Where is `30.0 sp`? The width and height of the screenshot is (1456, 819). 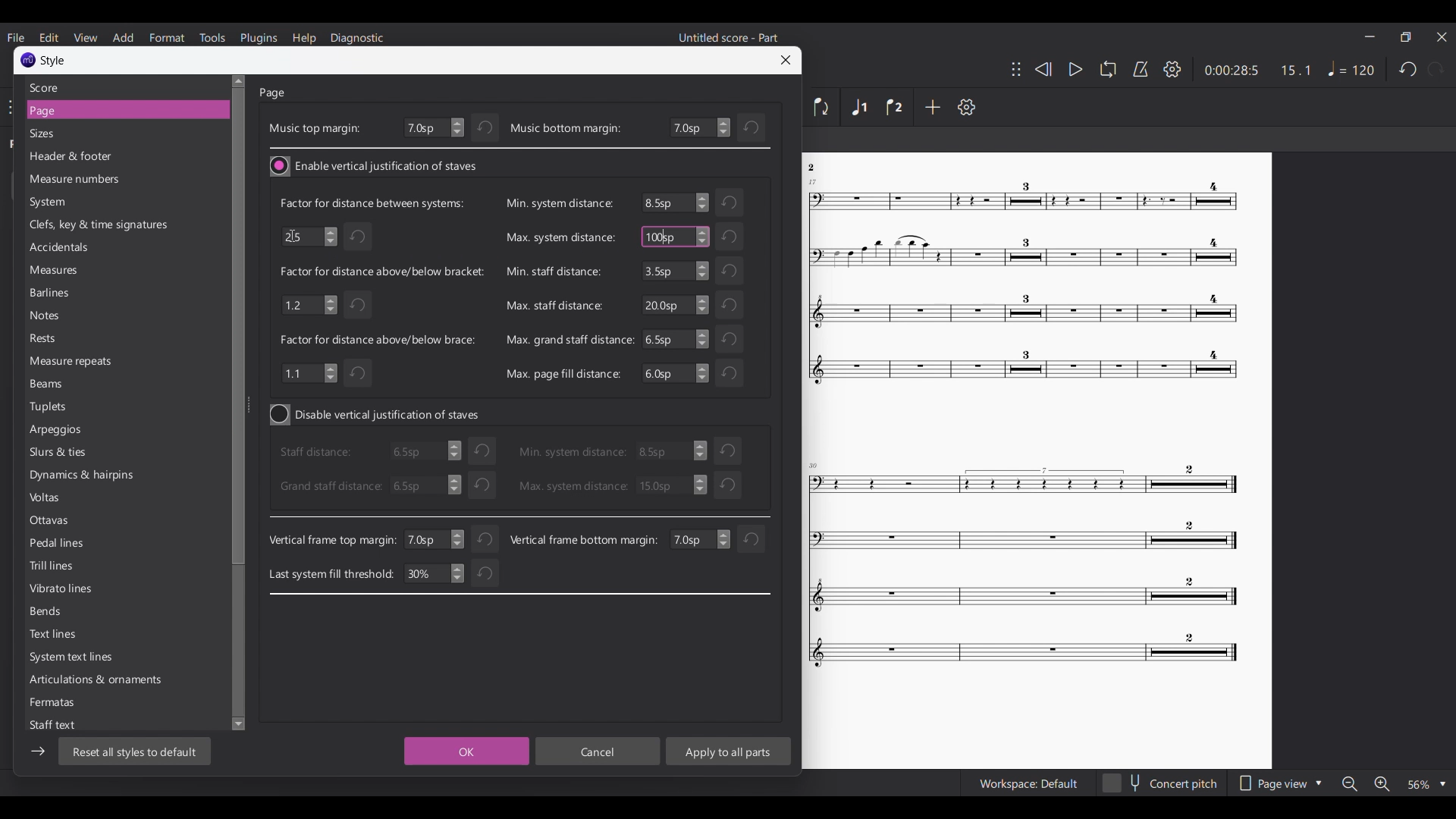
30.0 sp is located at coordinates (671, 485).